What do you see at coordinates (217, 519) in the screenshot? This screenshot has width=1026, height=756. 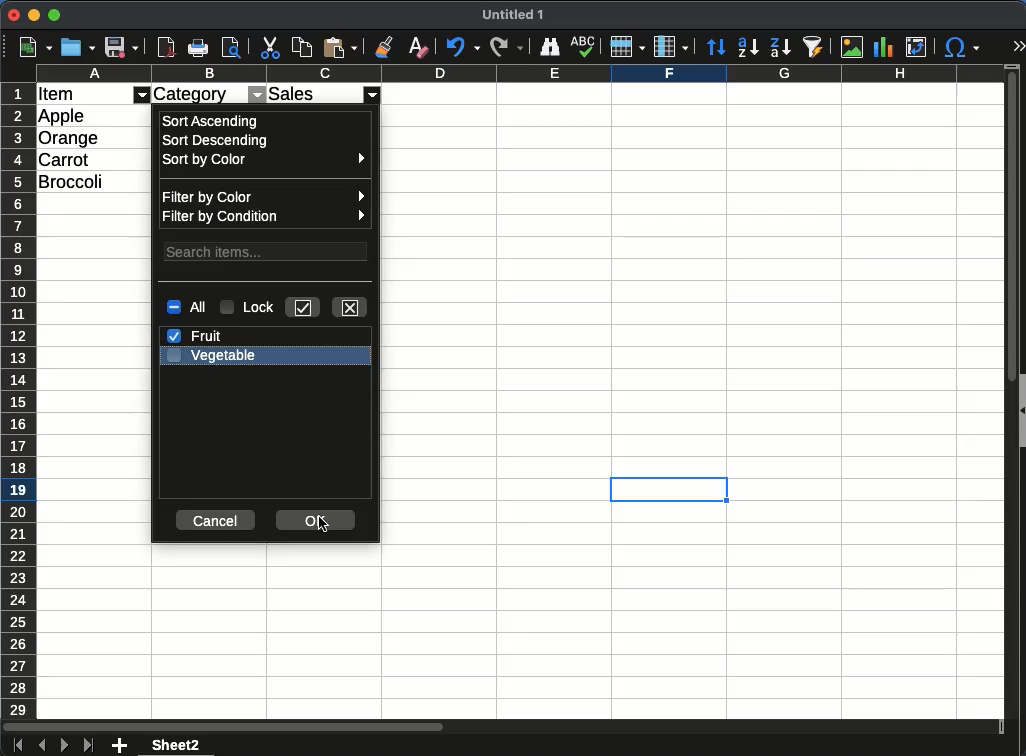 I see `cancel` at bounding box center [217, 519].